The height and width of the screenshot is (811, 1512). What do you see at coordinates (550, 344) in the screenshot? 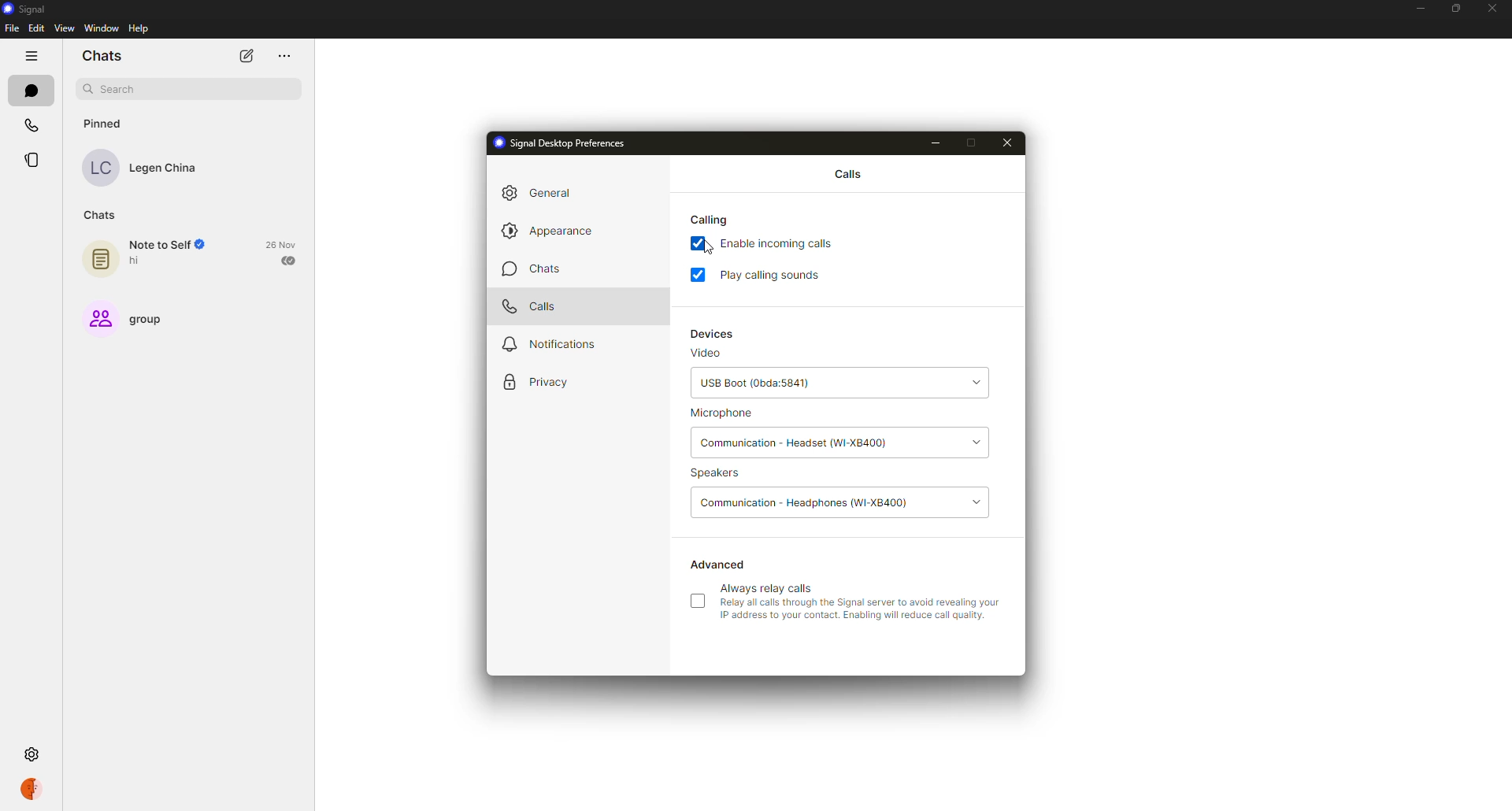
I see `notifications` at bounding box center [550, 344].